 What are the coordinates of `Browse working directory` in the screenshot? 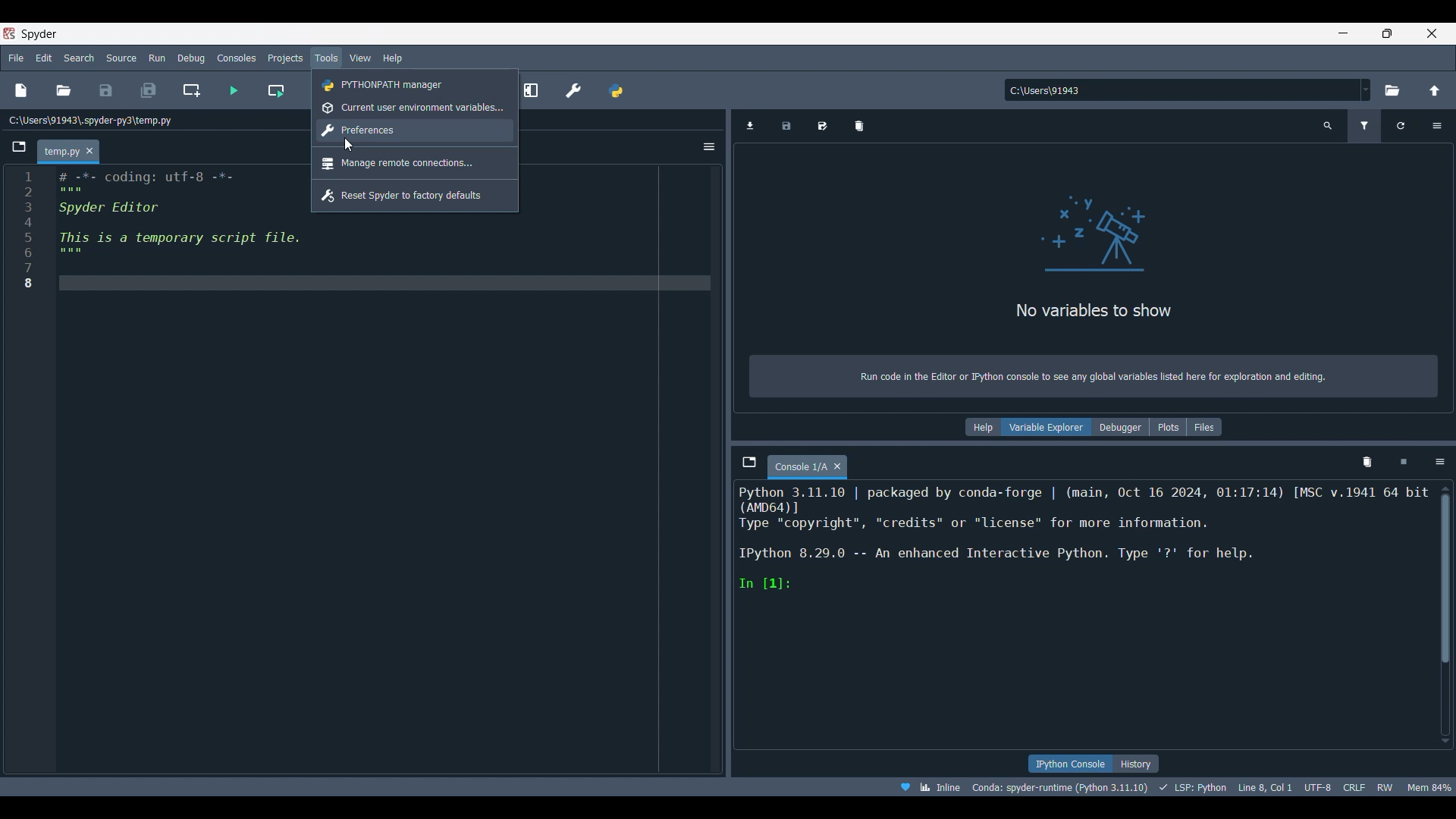 It's located at (1392, 90).